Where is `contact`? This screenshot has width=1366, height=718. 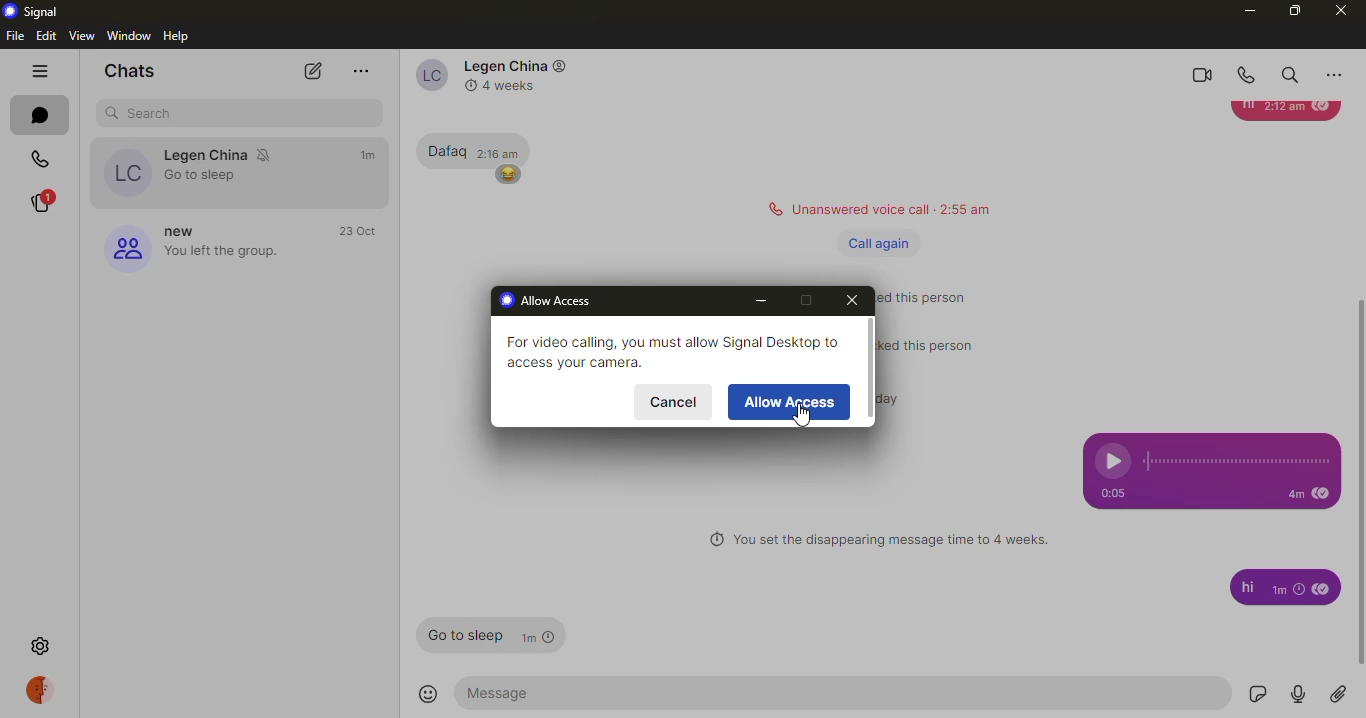 contact is located at coordinates (428, 74).